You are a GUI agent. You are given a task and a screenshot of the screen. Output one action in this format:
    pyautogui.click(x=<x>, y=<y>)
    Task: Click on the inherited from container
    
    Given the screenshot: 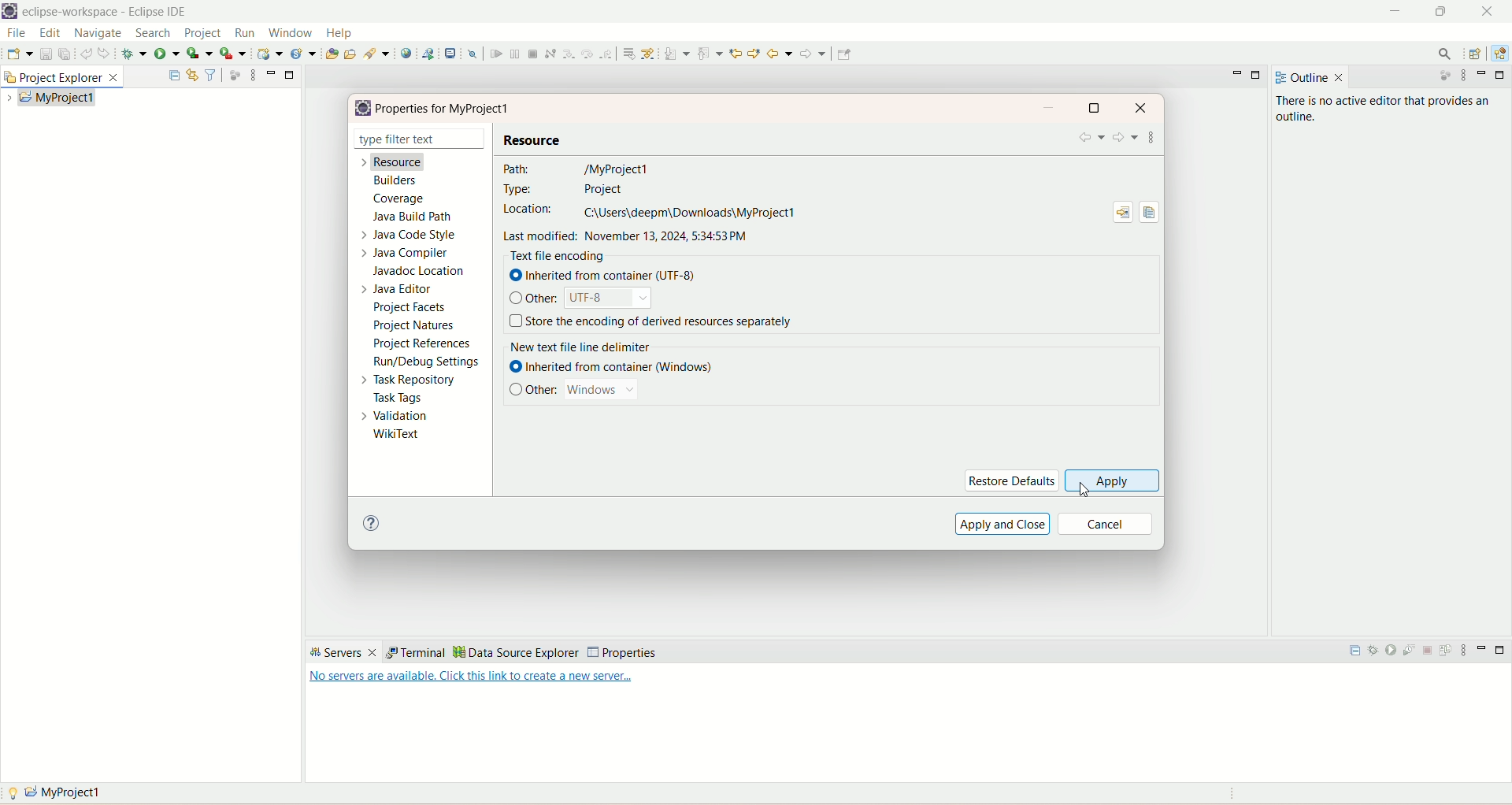 What is the action you would take?
    pyautogui.click(x=626, y=276)
    